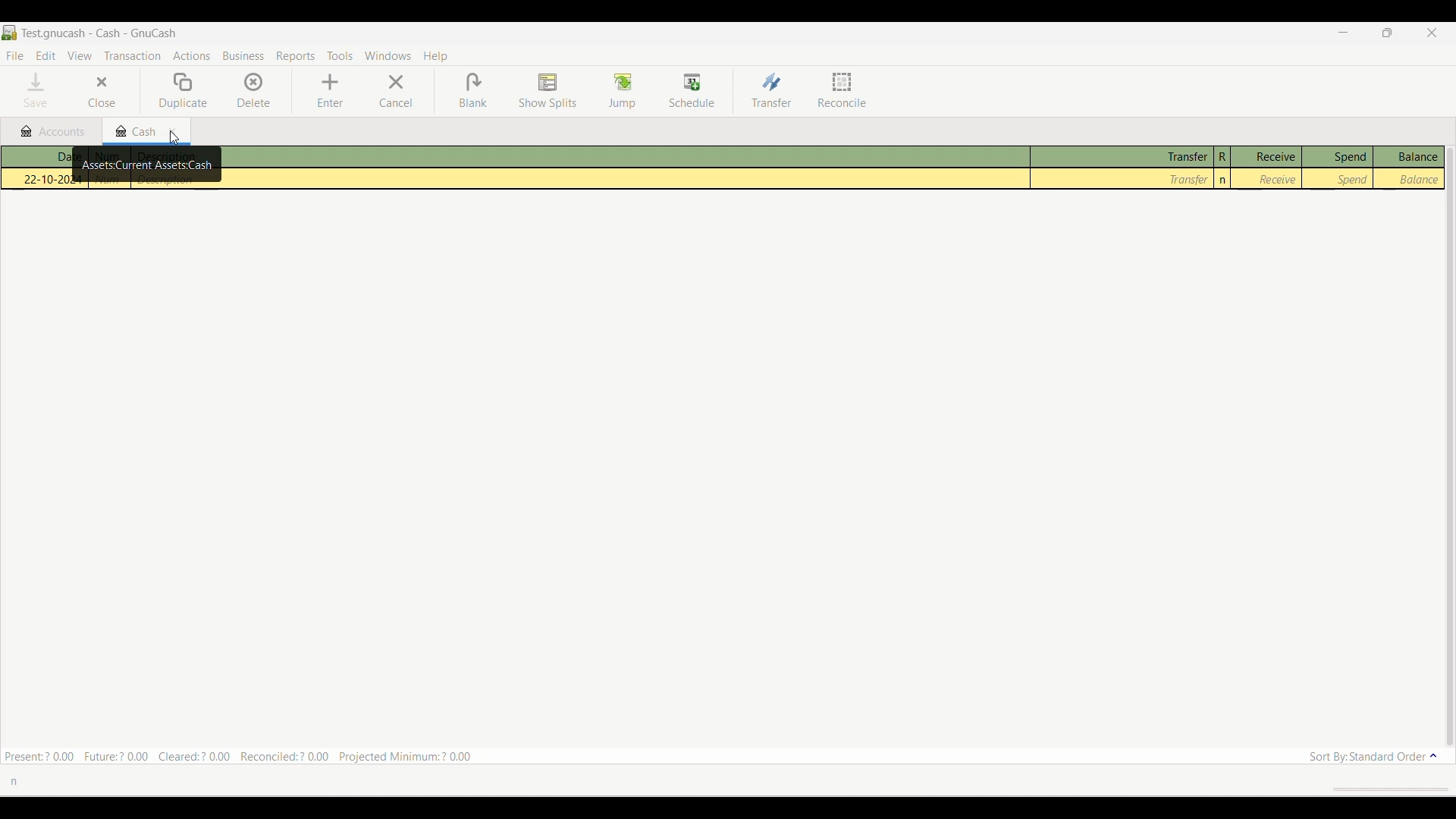 Image resolution: width=1456 pixels, height=819 pixels. What do you see at coordinates (10, 33) in the screenshot?
I see `Software logo` at bounding box center [10, 33].